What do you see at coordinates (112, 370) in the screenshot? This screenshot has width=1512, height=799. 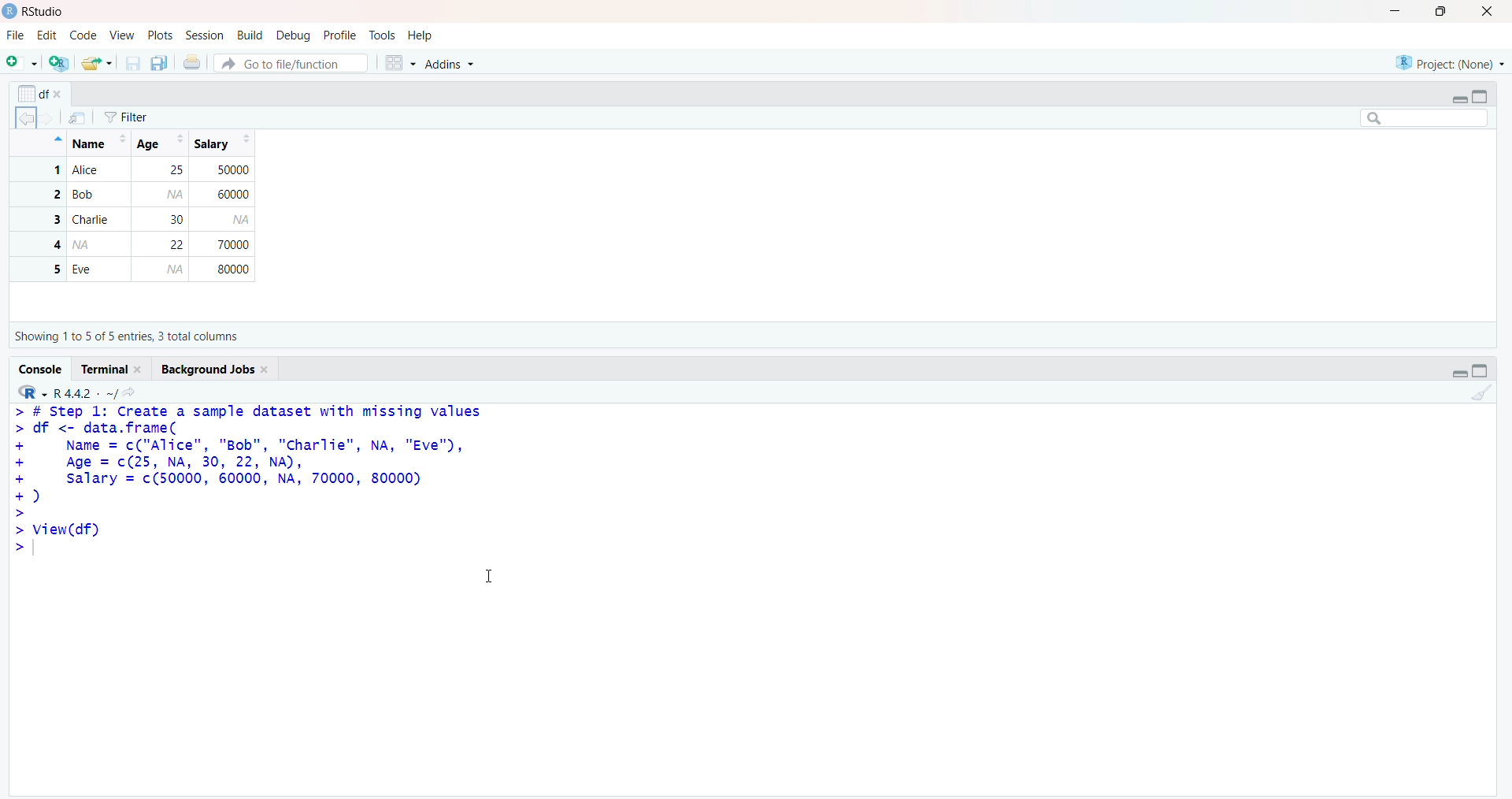 I see `Terminal` at bounding box center [112, 370].